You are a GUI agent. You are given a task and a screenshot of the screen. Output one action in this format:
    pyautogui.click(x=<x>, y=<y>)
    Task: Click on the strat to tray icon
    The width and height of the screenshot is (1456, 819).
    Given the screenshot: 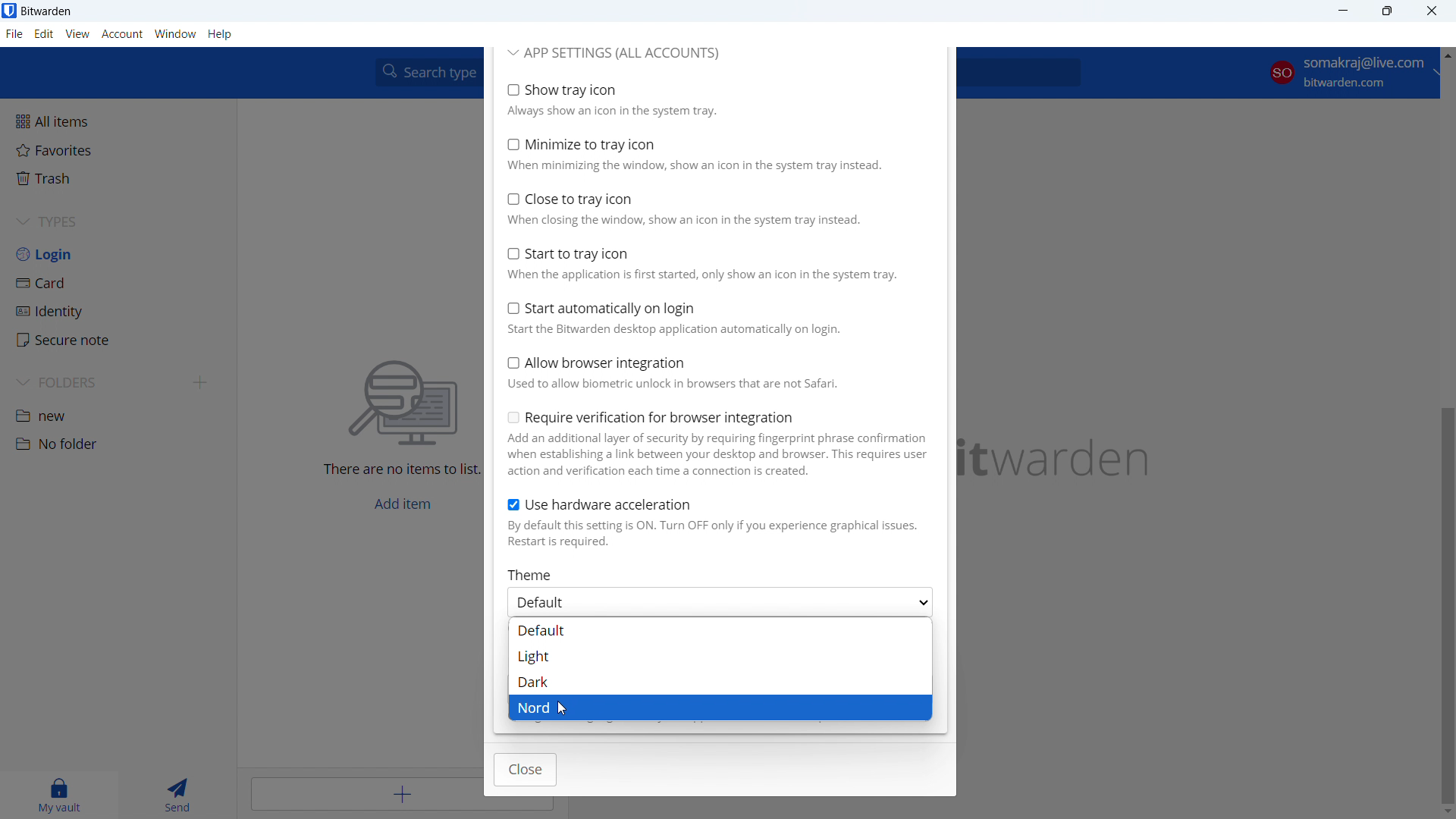 What is the action you would take?
    pyautogui.click(x=714, y=262)
    